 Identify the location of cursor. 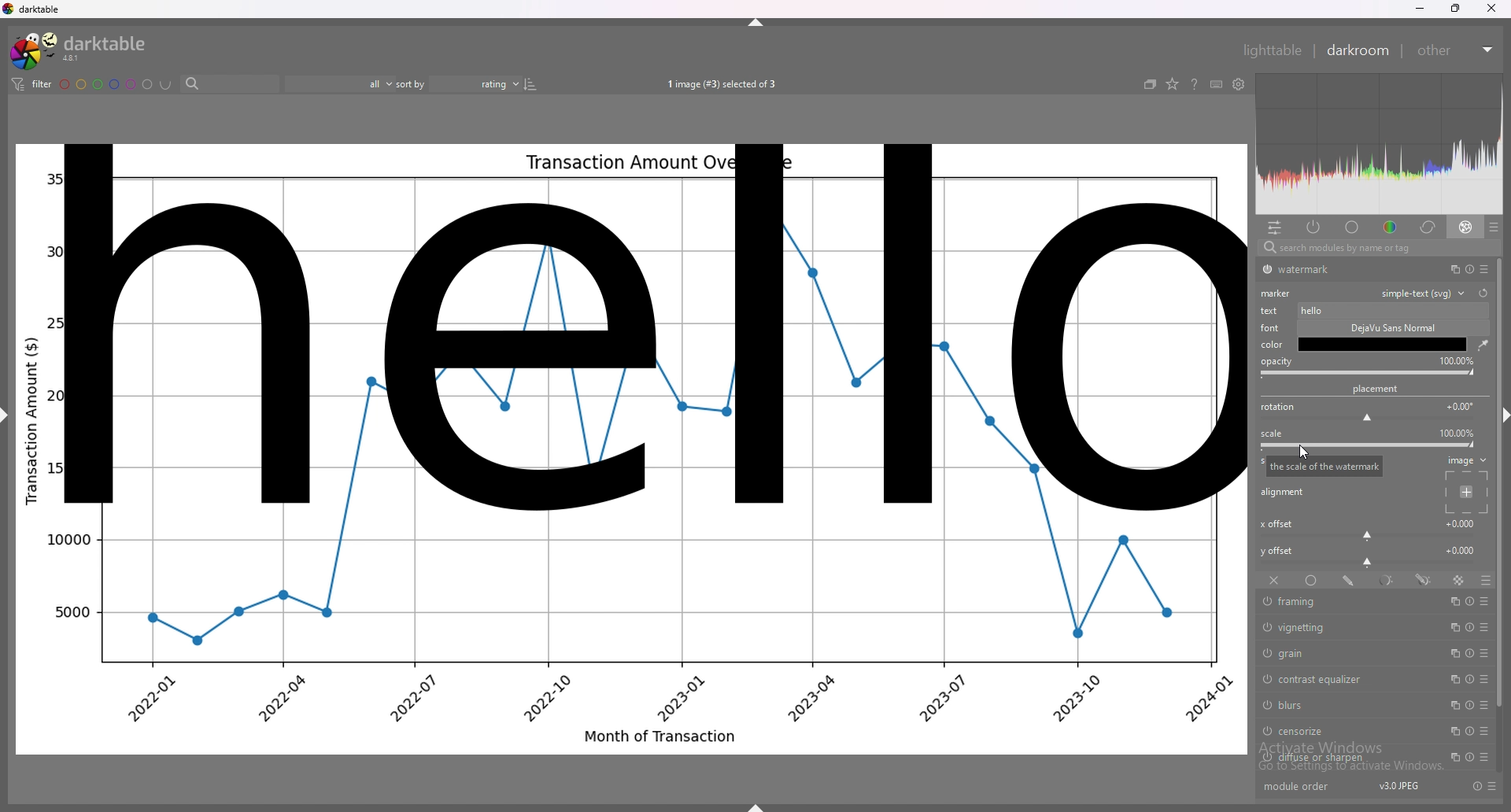
(1307, 456).